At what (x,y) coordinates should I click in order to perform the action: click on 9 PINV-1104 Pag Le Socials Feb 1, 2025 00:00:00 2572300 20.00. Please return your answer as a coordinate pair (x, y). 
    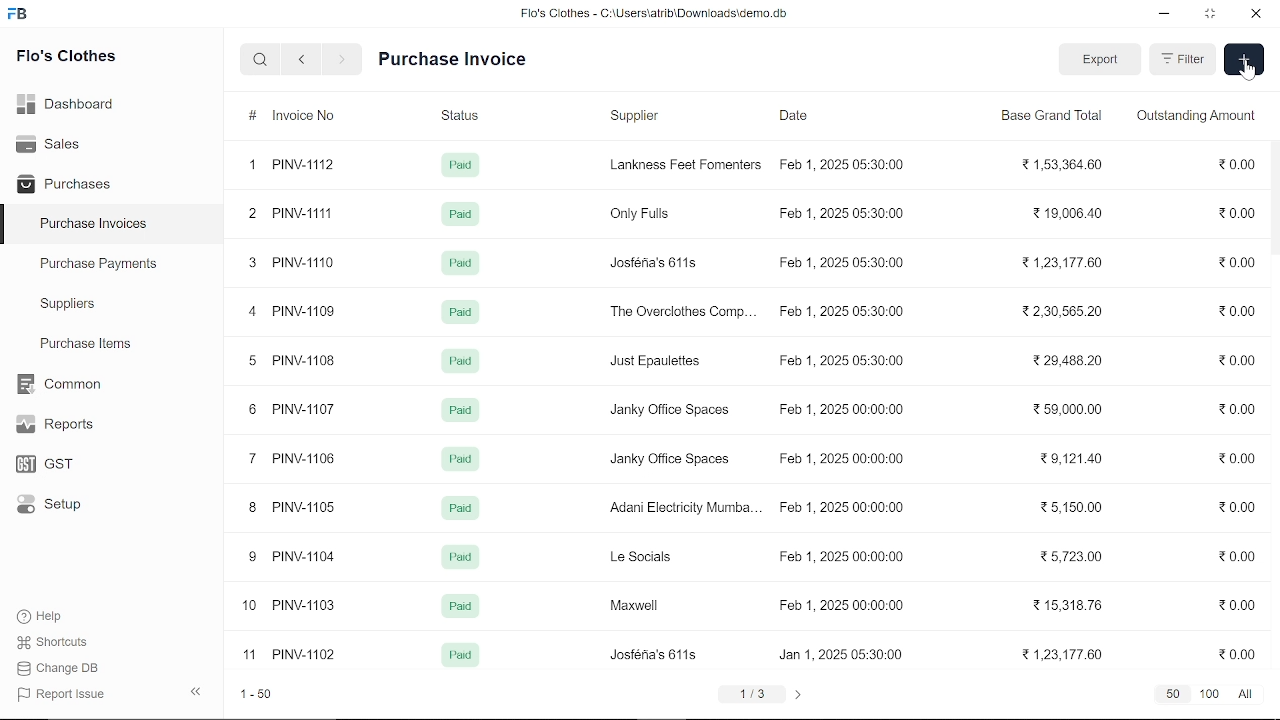
    Looking at the image, I should click on (749, 557).